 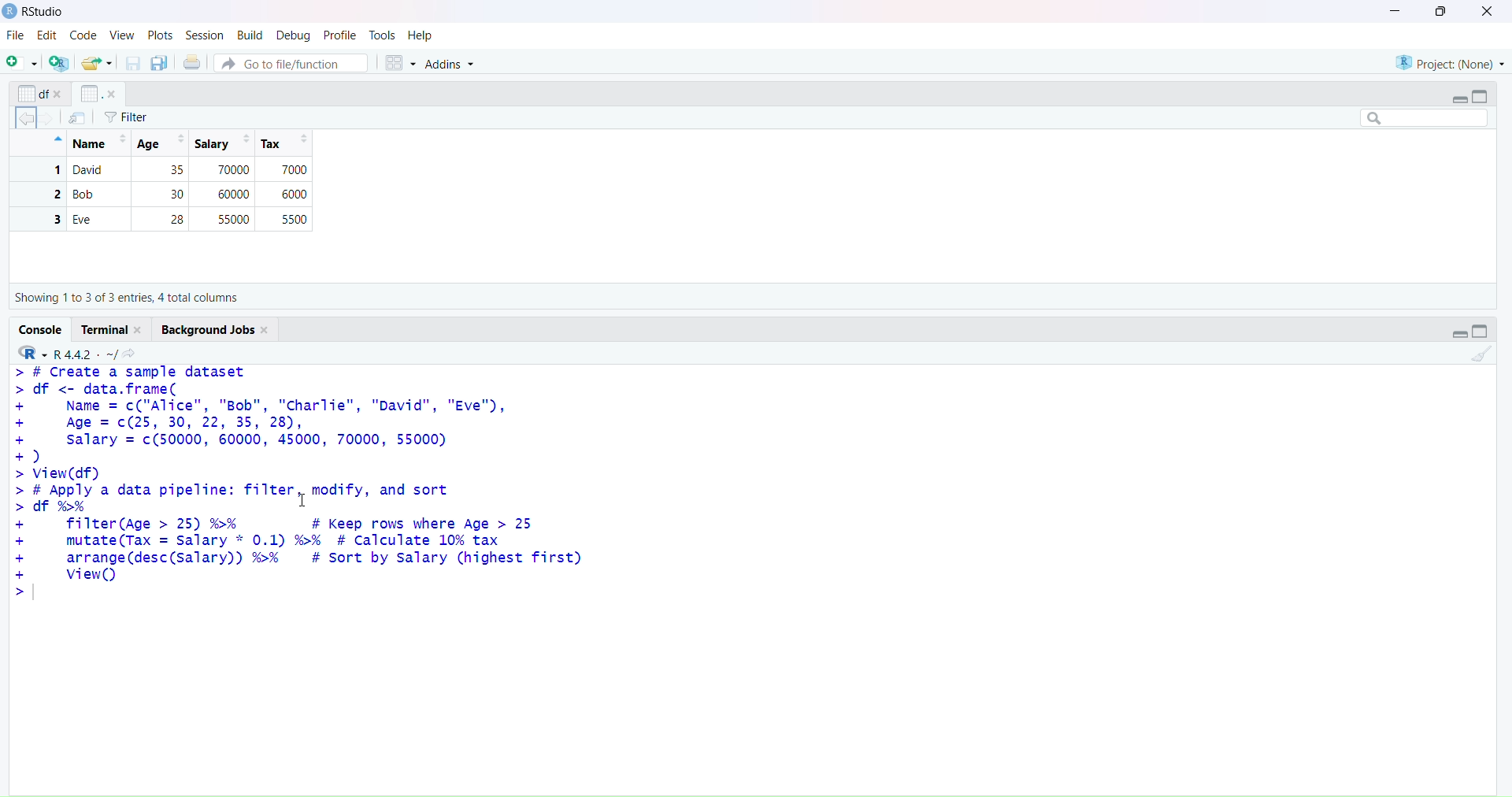 I want to click on print the current file, so click(x=192, y=61).